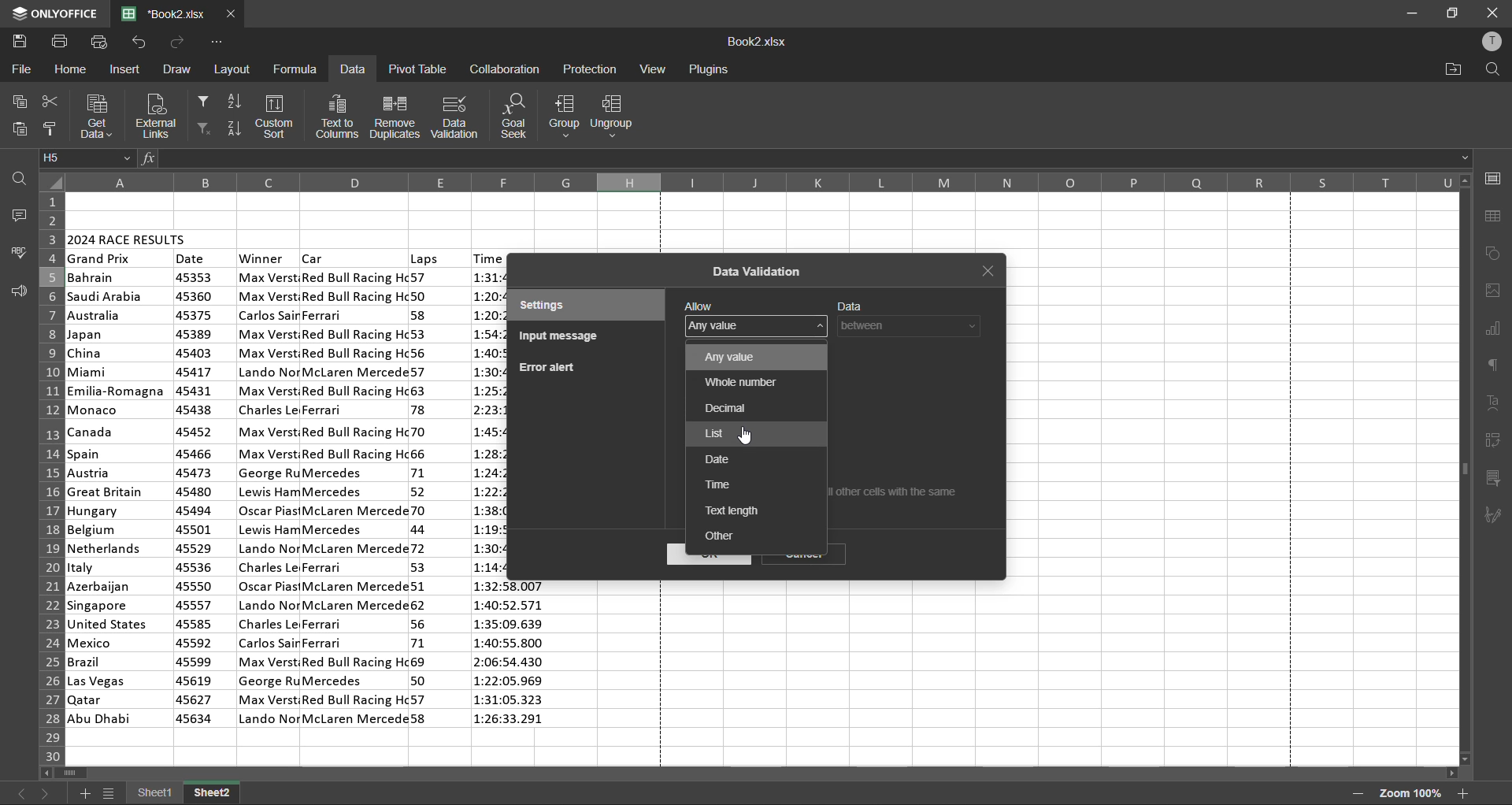  Describe the element at coordinates (98, 42) in the screenshot. I see `quick print` at that location.